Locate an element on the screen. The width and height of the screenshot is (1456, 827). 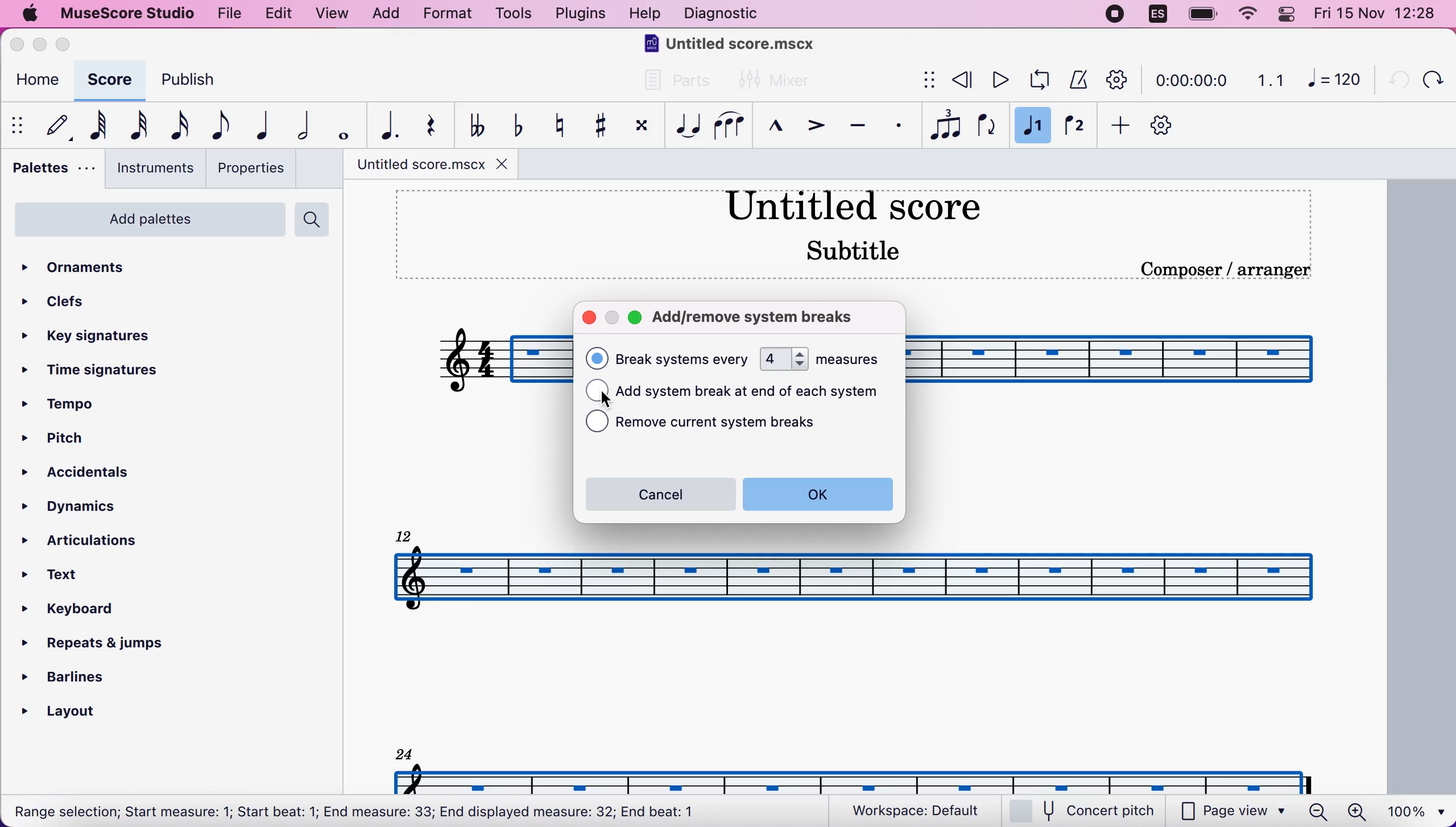
32nd note is located at coordinates (140, 125).